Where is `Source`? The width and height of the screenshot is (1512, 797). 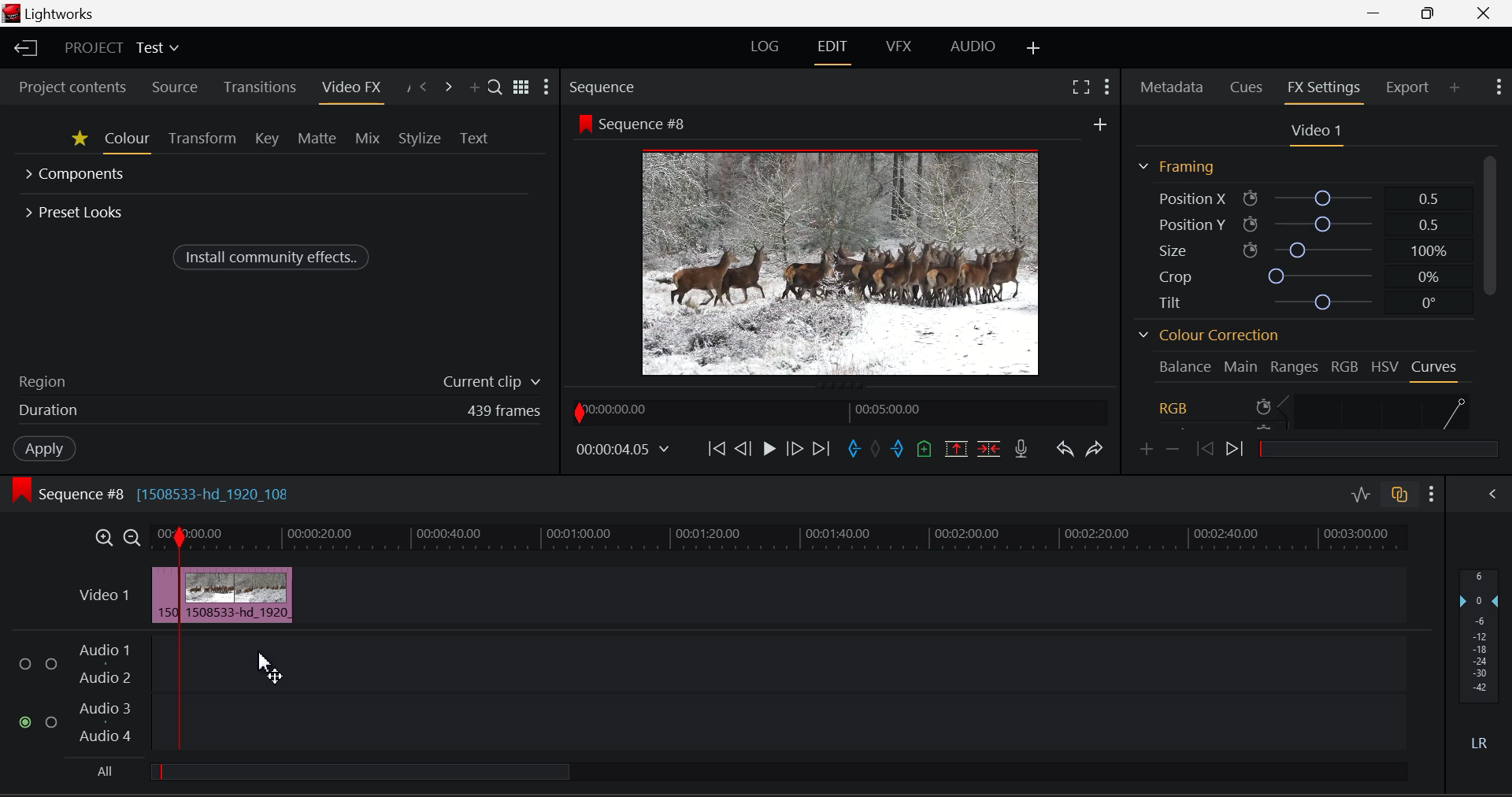
Source is located at coordinates (174, 87).